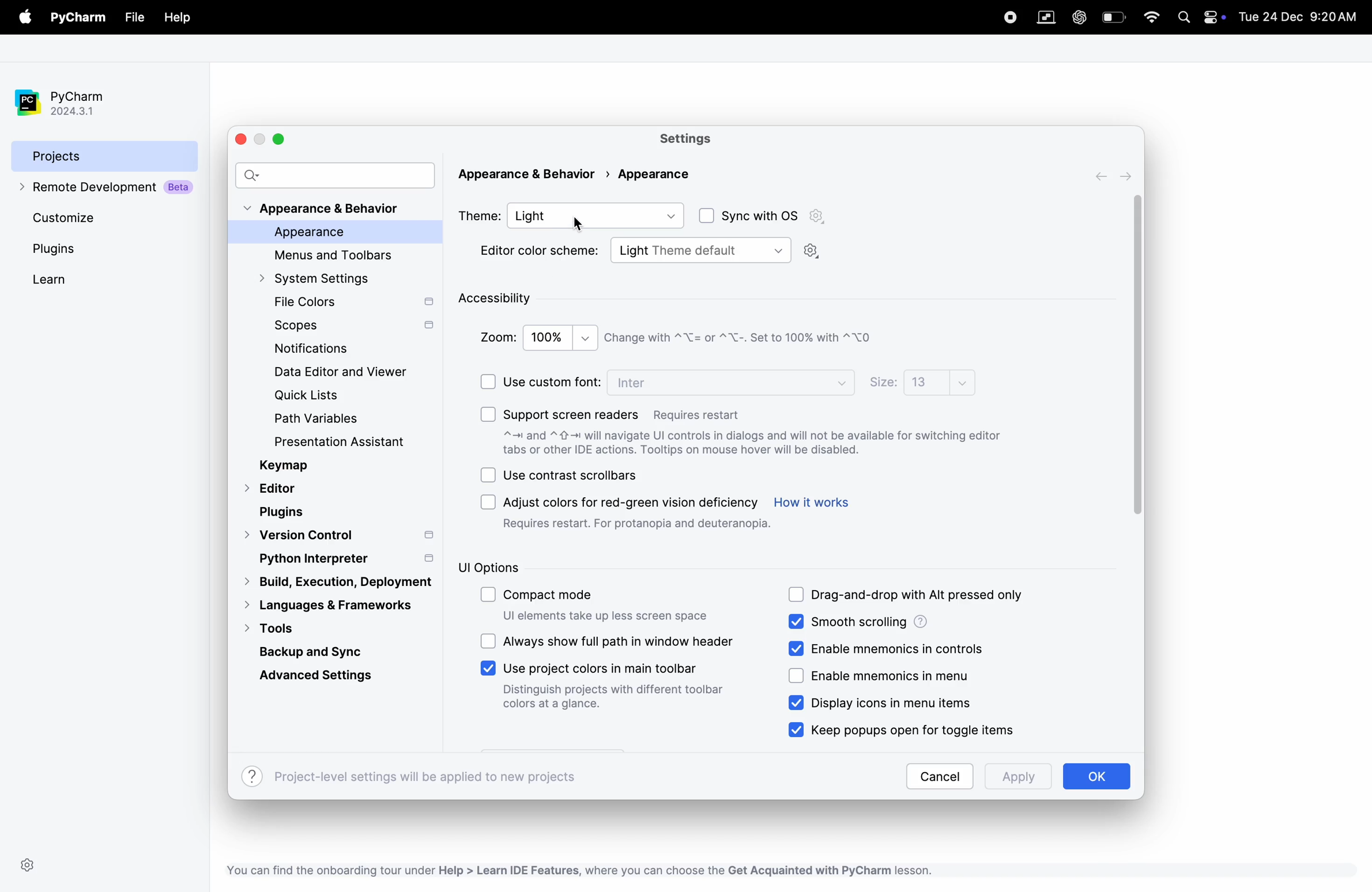 The height and width of the screenshot is (892, 1372). Describe the element at coordinates (296, 628) in the screenshot. I see `tools` at that location.